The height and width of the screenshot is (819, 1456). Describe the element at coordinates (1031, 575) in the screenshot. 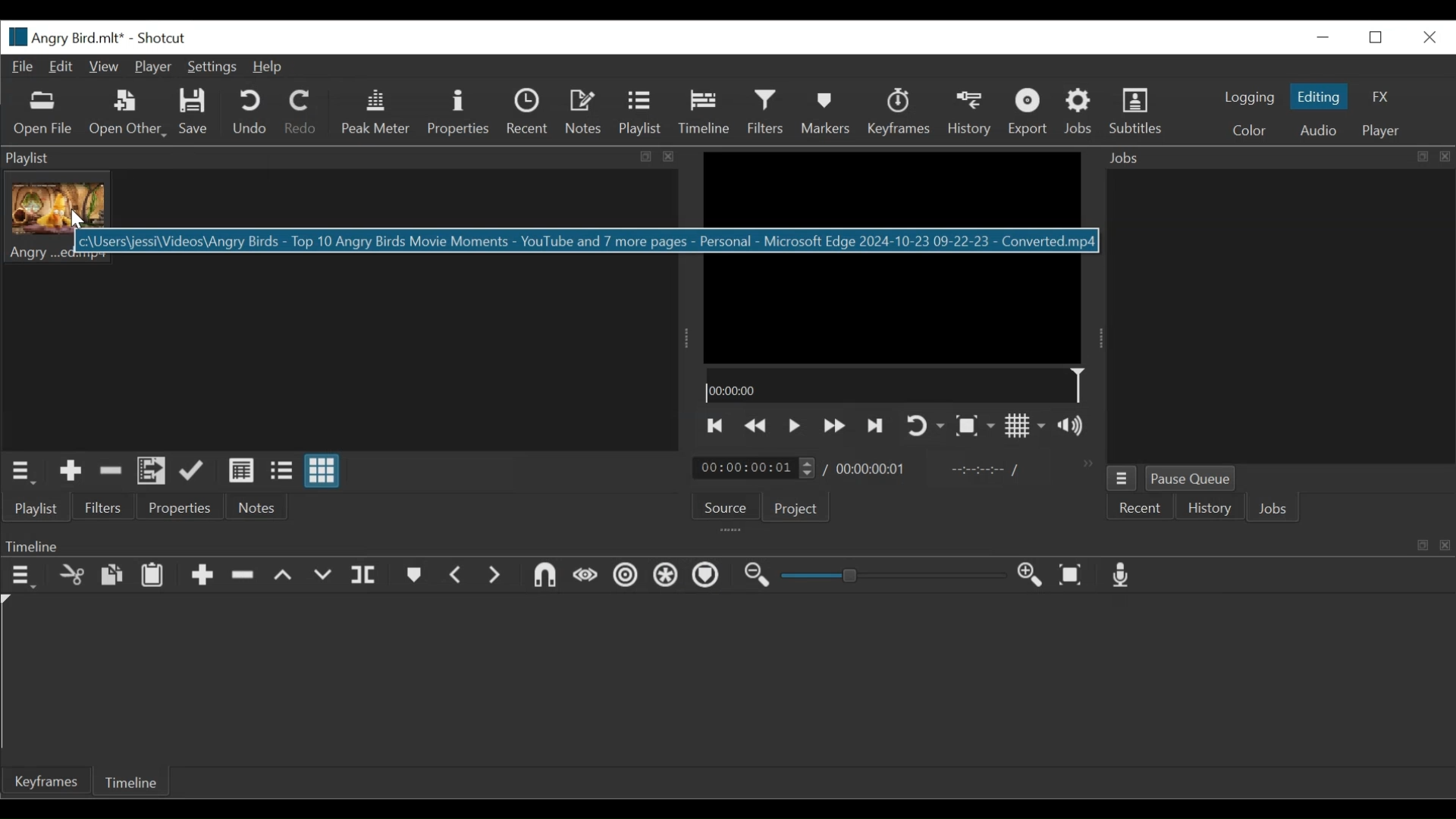

I see `Zoom timeline in` at that location.